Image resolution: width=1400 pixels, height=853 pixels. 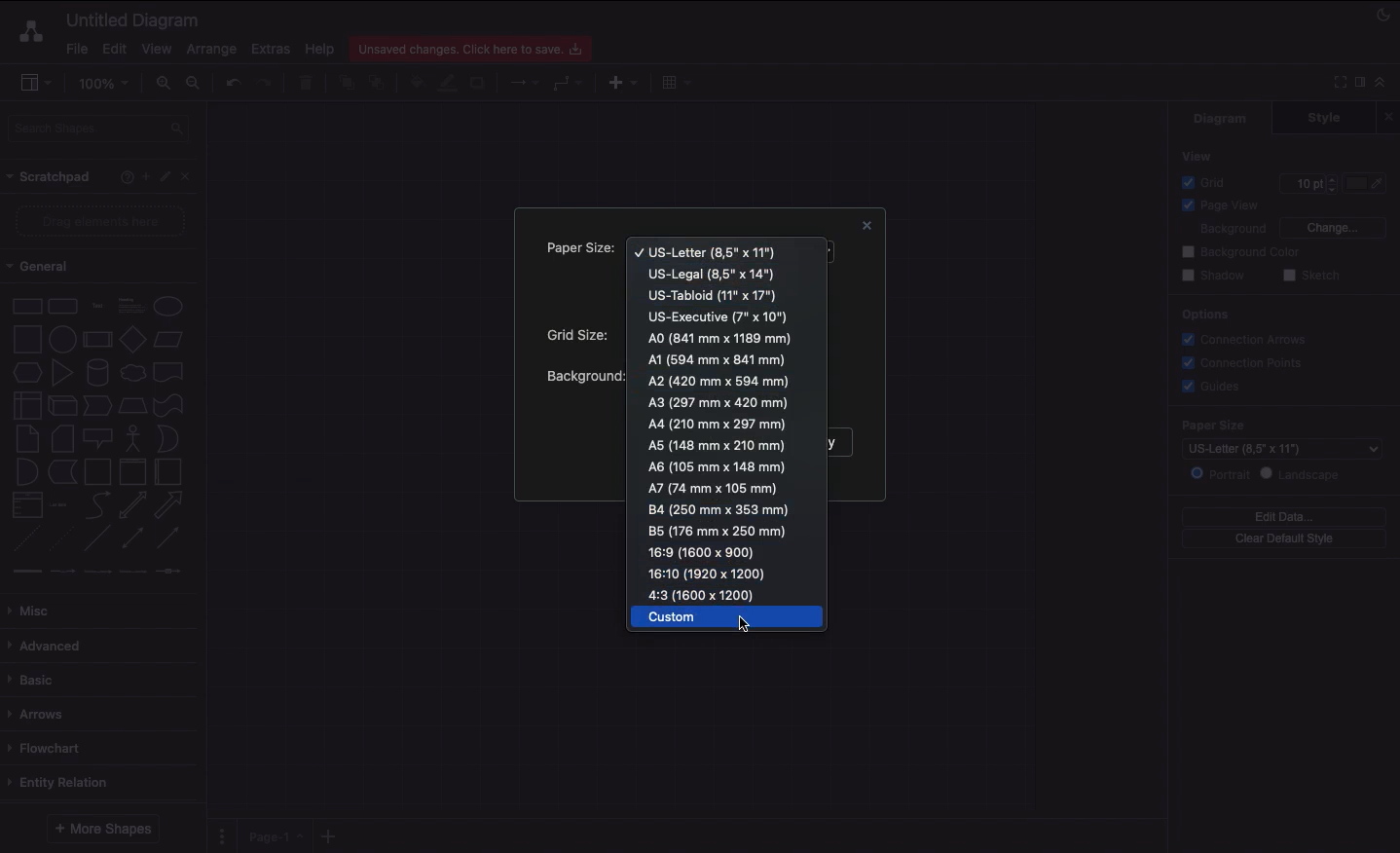 I want to click on Or, so click(x=168, y=437).